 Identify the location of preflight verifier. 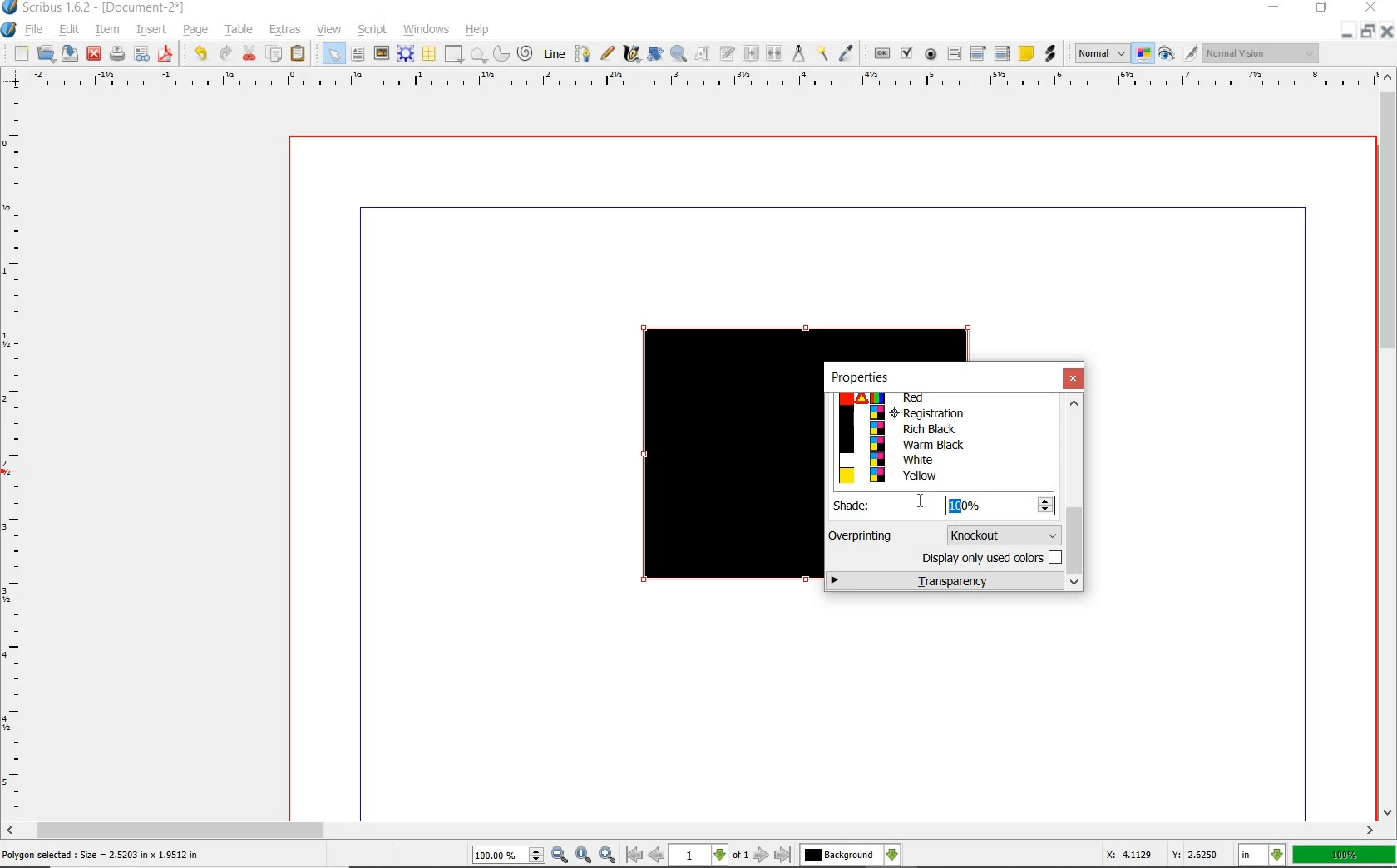
(142, 54).